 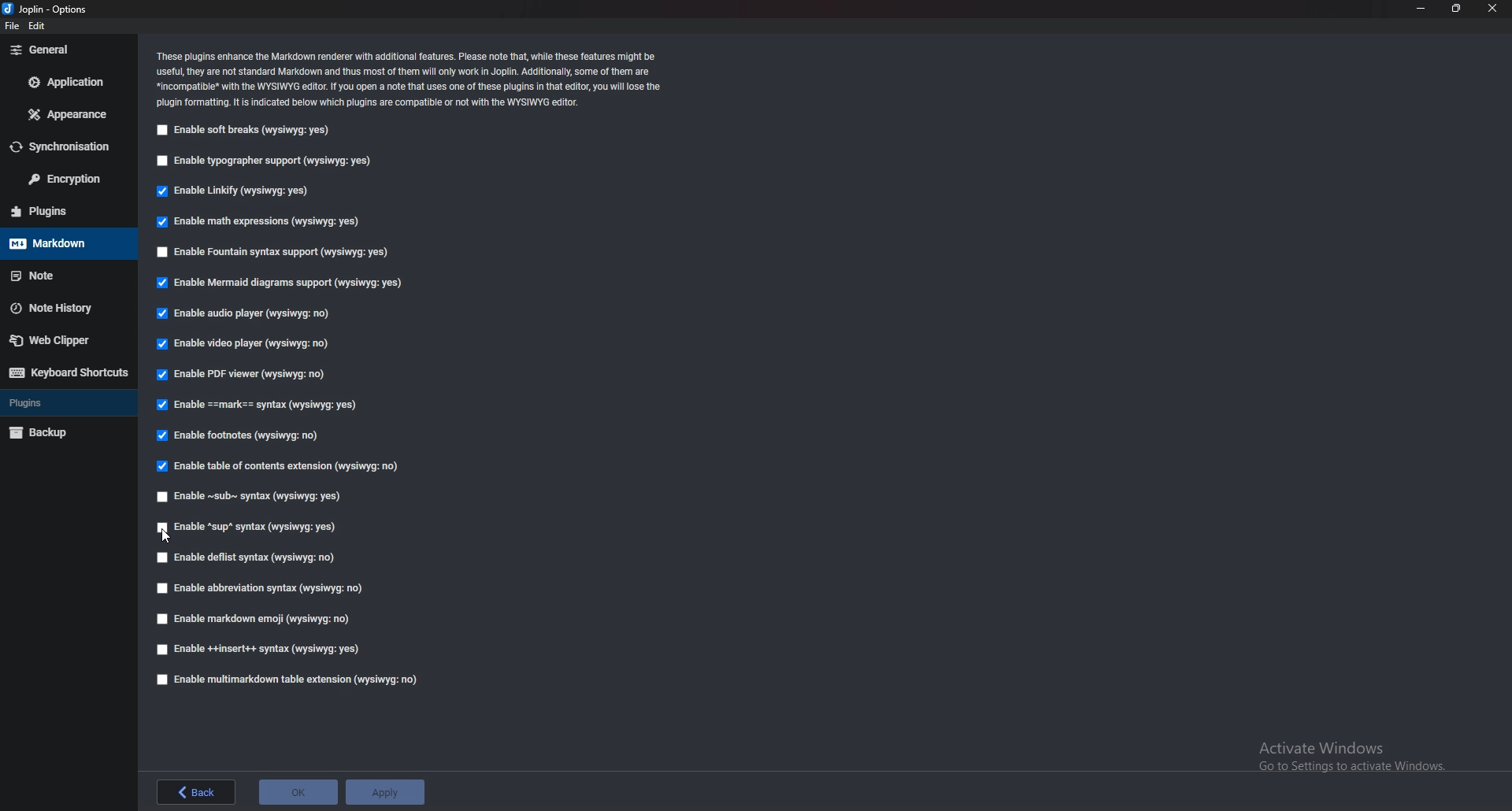 What do you see at coordinates (261, 221) in the screenshot?
I see `Enable math expressions (wysiwyg: yes)` at bounding box center [261, 221].